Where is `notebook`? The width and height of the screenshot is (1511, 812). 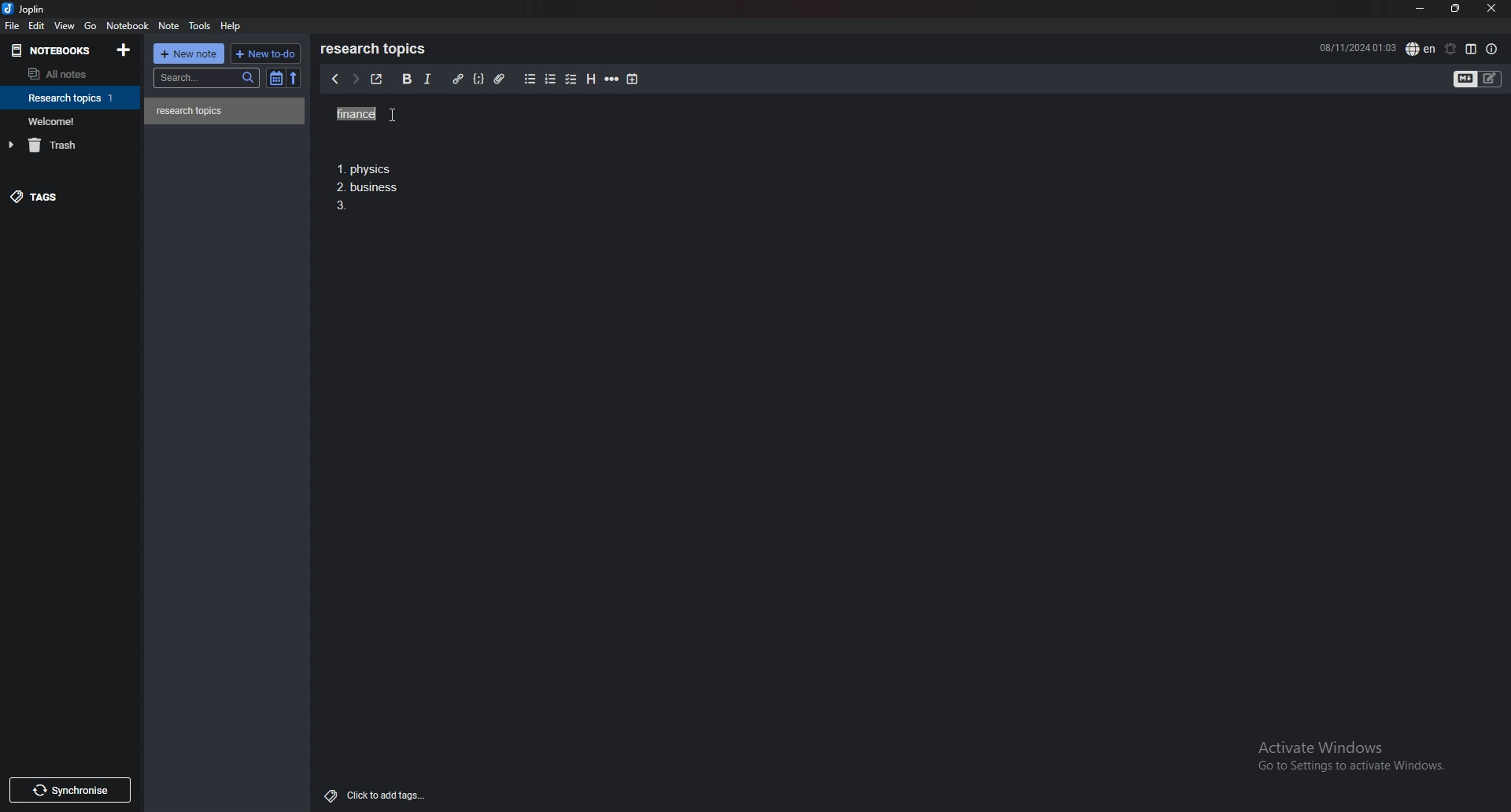 notebook is located at coordinates (129, 26).